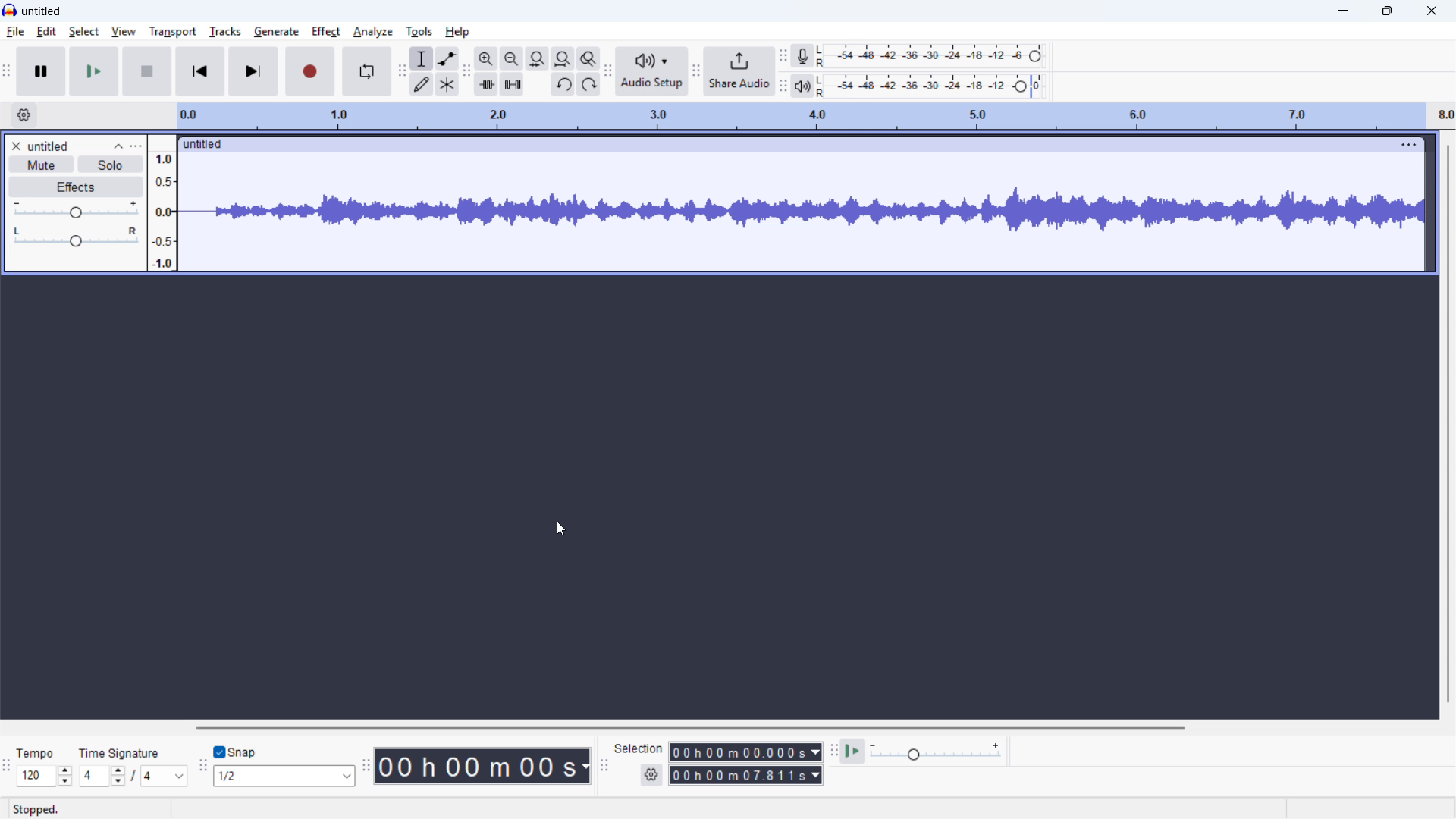 The width and height of the screenshot is (1456, 819). Describe the element at coordinates (42, 11) in the screenshot. I see `project title` at that location.